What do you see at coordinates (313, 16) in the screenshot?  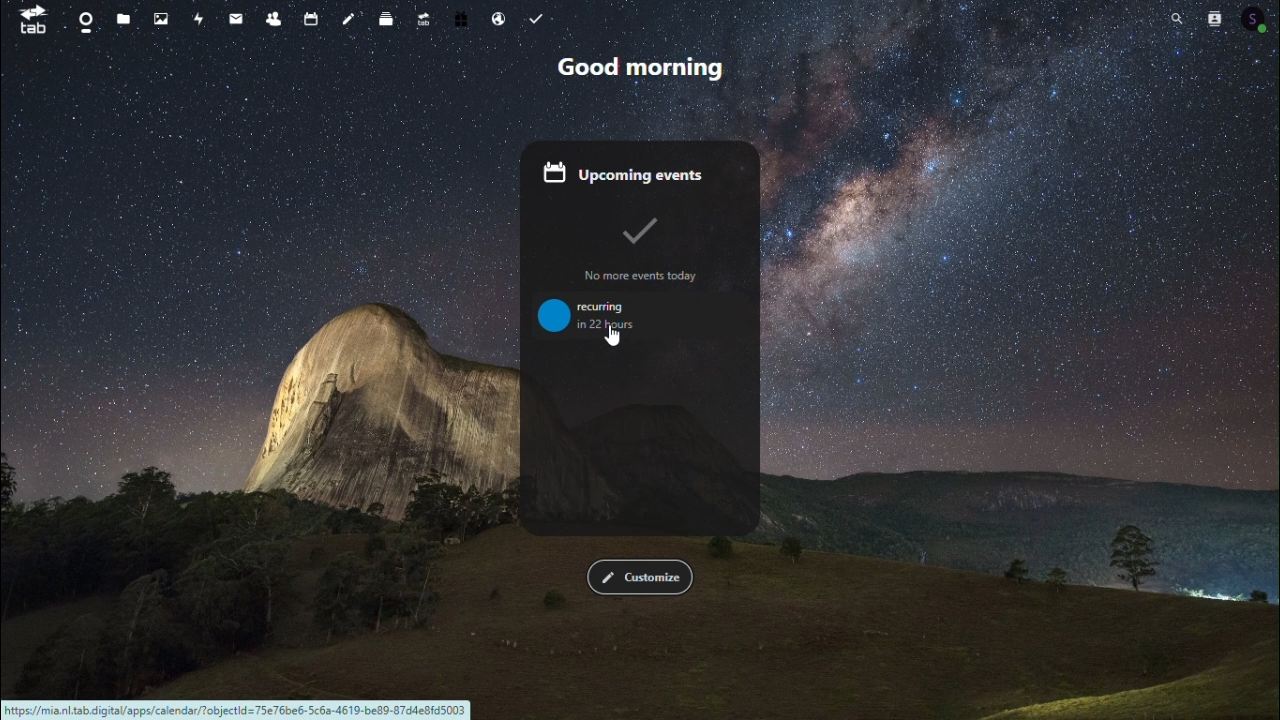 I see `Calendar` at bounding box center [313, 16].